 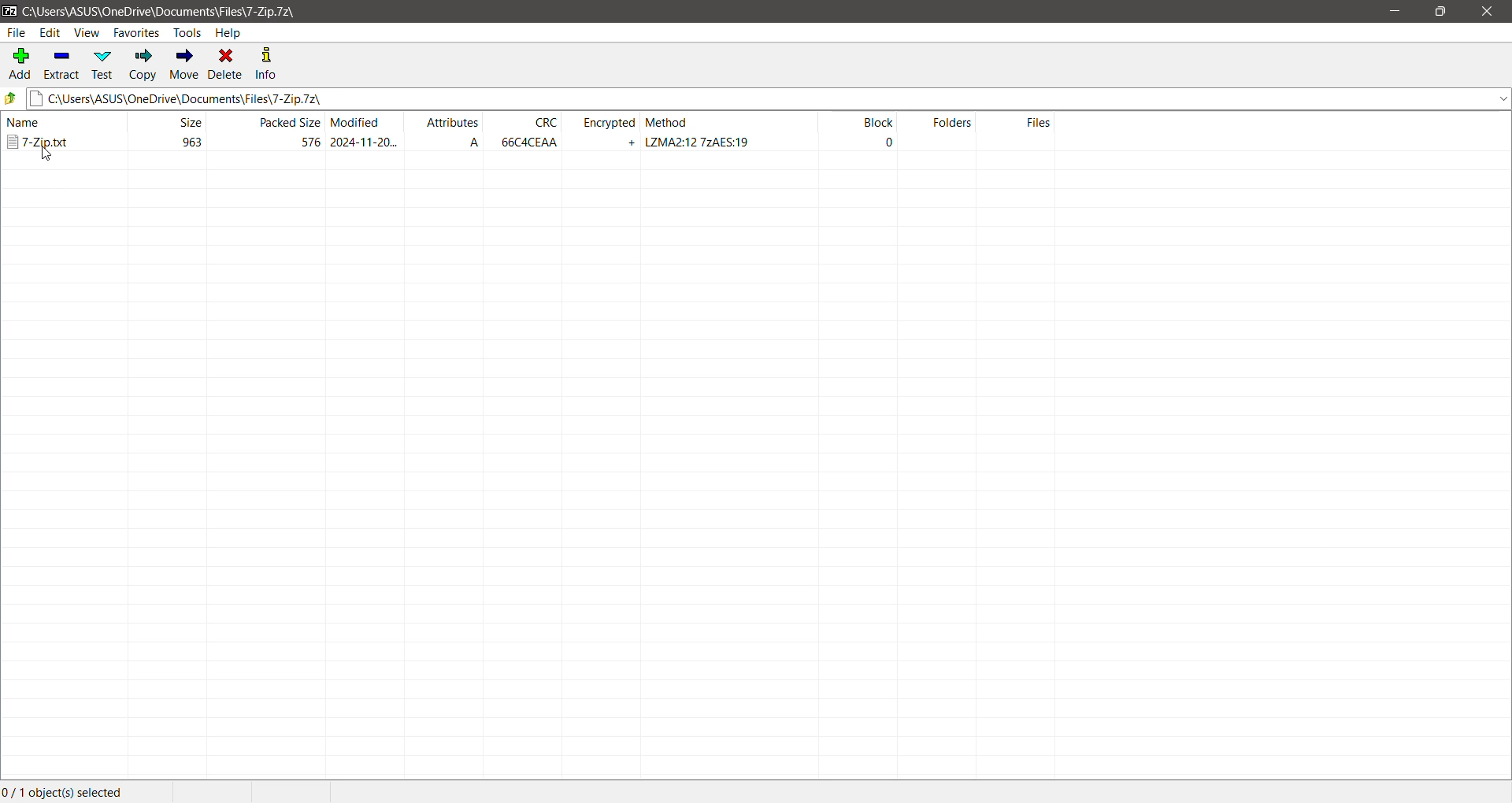 I want to click on Current Folder Path, so click(x=768, y=96).